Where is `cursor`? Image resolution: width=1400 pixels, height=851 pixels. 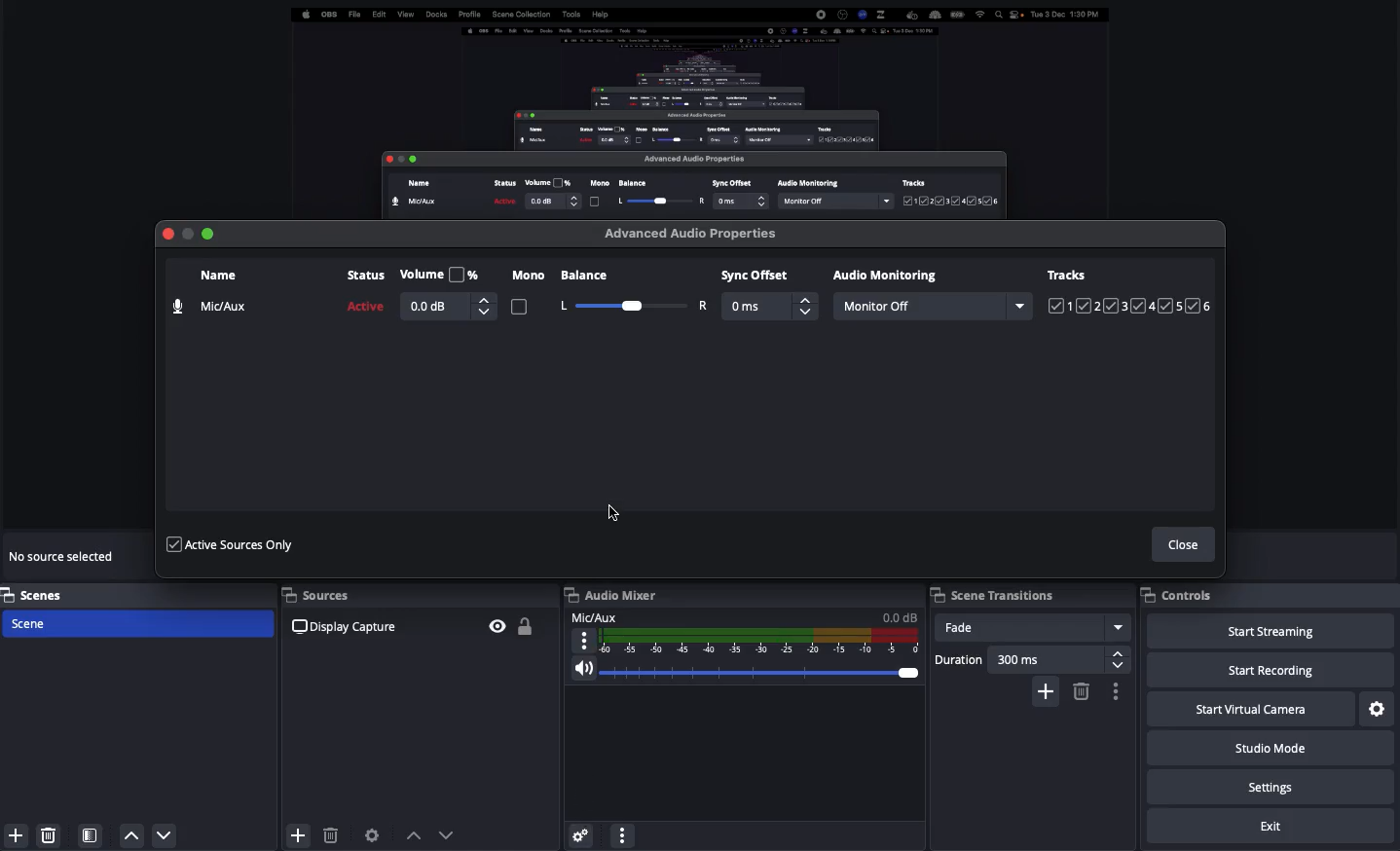
cursor is located at coordinates (607, 509).